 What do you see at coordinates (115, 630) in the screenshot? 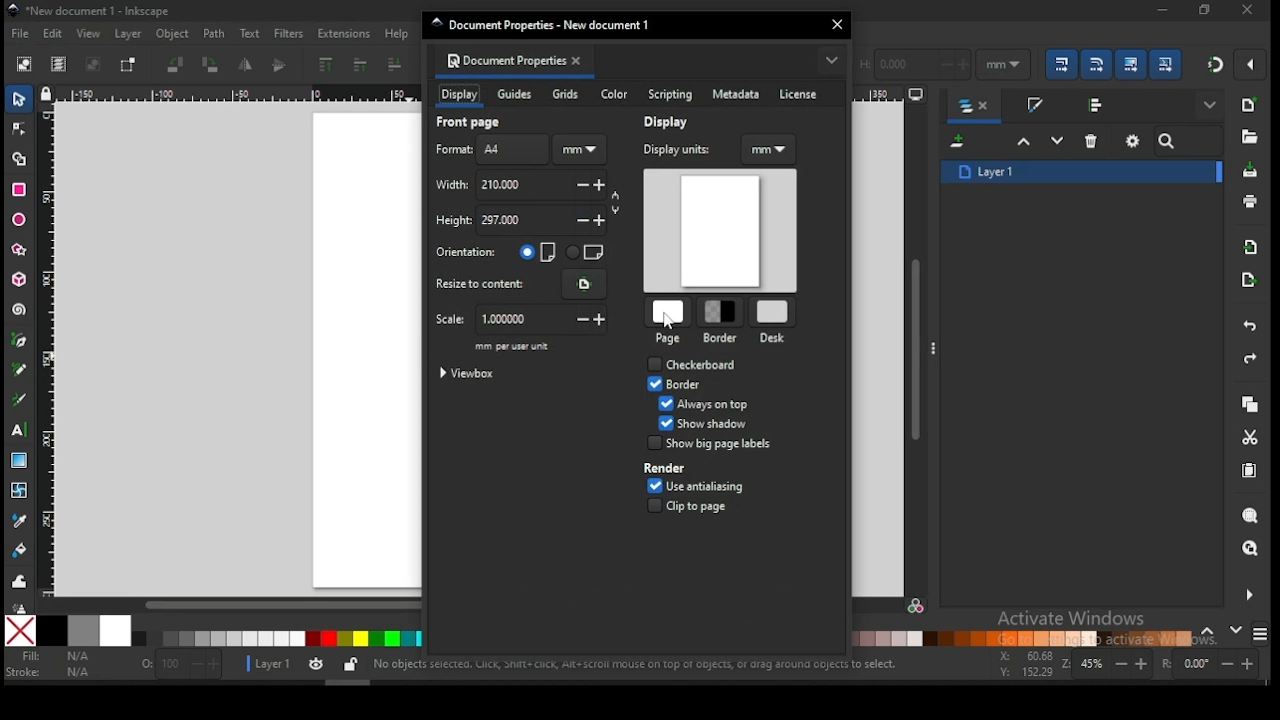
I see `white` at bounding box center [115, 630].